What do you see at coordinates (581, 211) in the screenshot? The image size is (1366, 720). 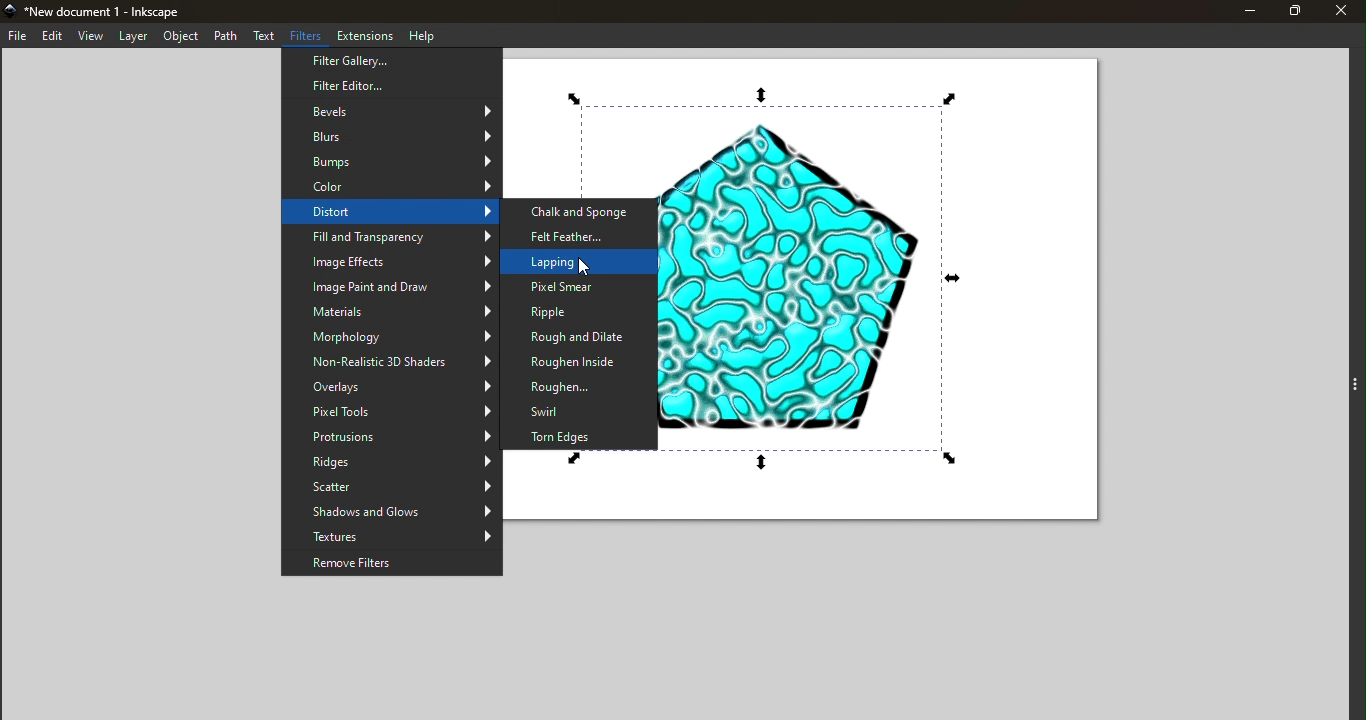 I see `Chalk and Sponge` at bounding box center [581, 211].